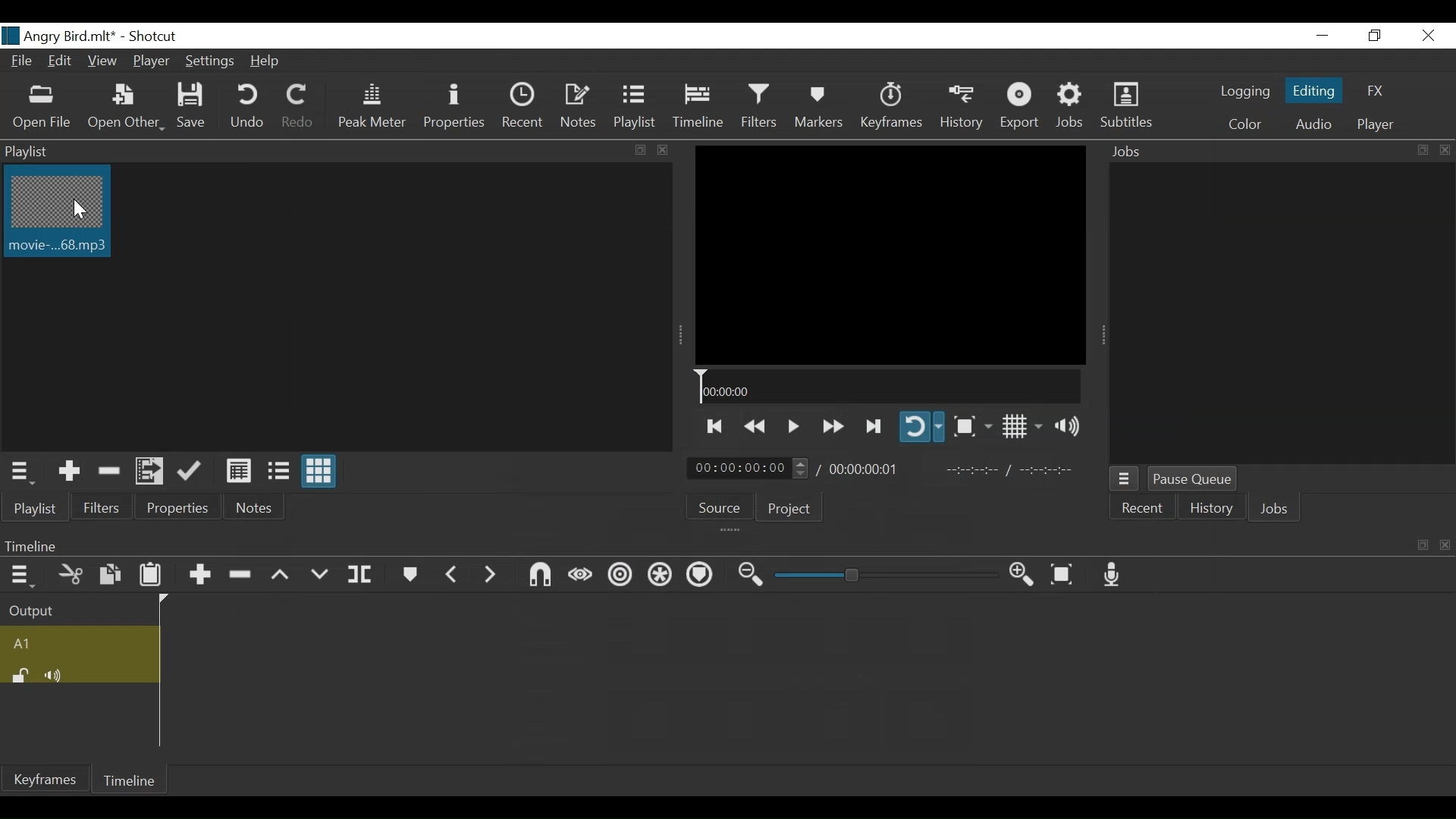  Describe the element at coordinates (1421, 545) in the screenshot. I see `resize` at that location.